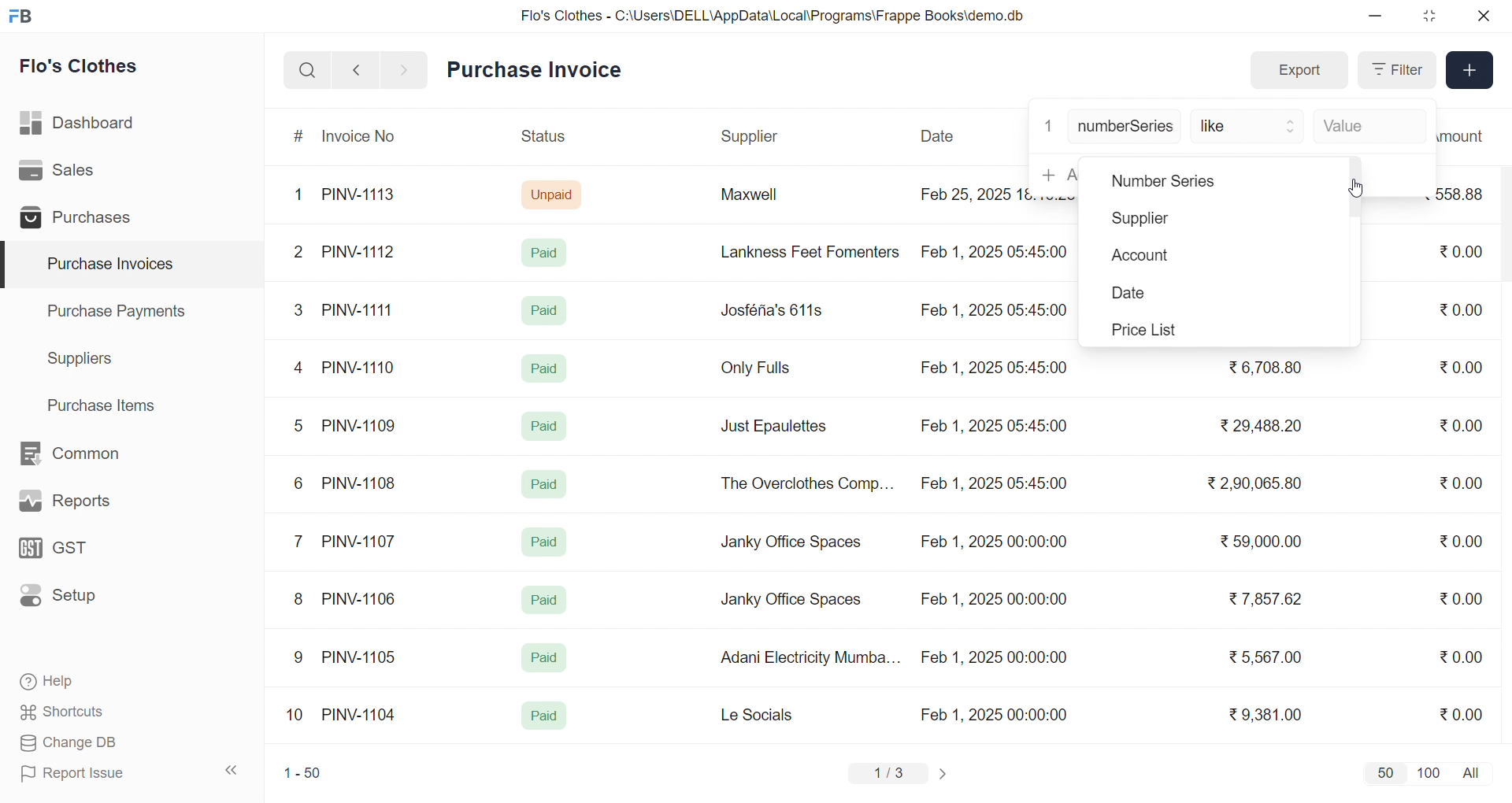 Image resolution: width=1512 pixels, height=803 pixels. What do you see at coordinates (972, 194) in the screenshot?
I see `Feb 25, 2025 18:16:25` at bounding box center [972, 194].